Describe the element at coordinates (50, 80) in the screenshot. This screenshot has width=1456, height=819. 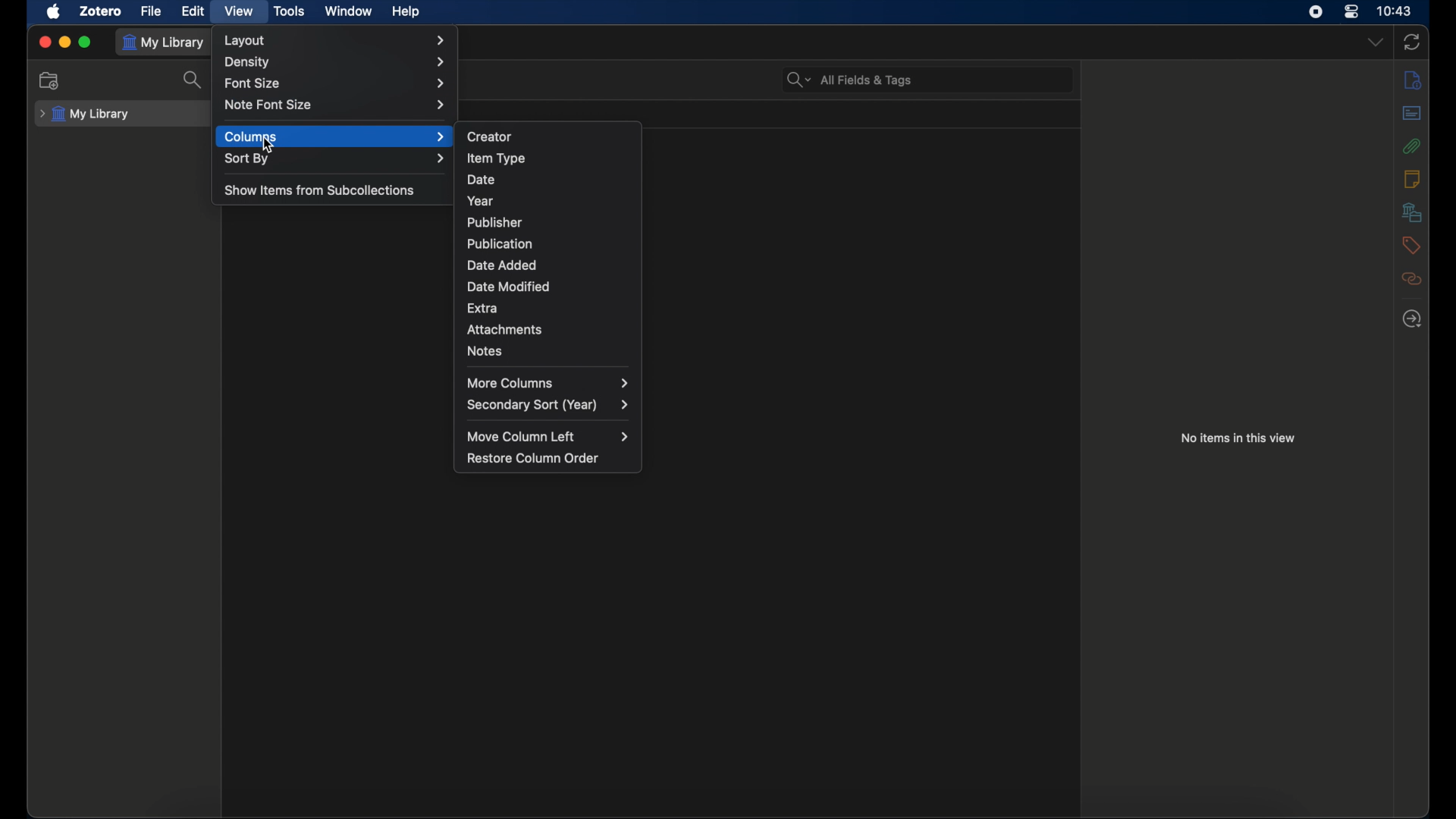
I see `new collections` at that location.